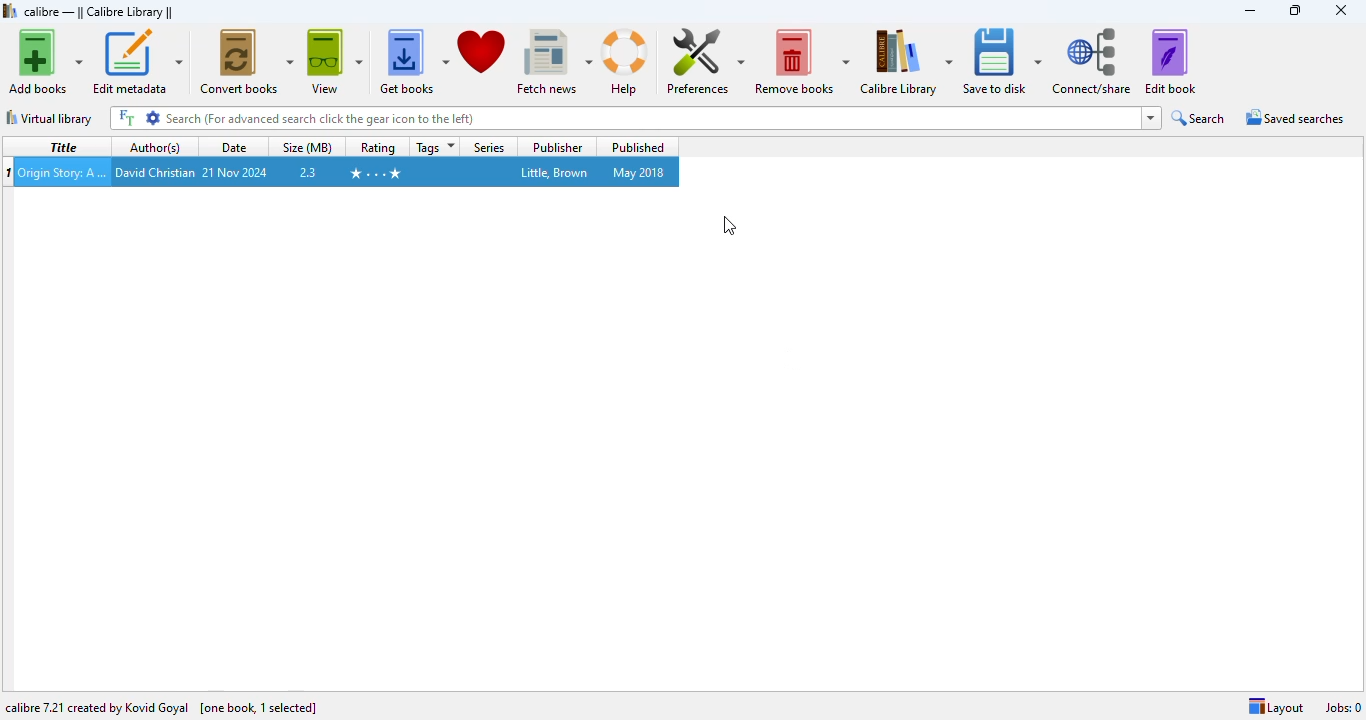  I want to click on virtual library, so click(50, 118).